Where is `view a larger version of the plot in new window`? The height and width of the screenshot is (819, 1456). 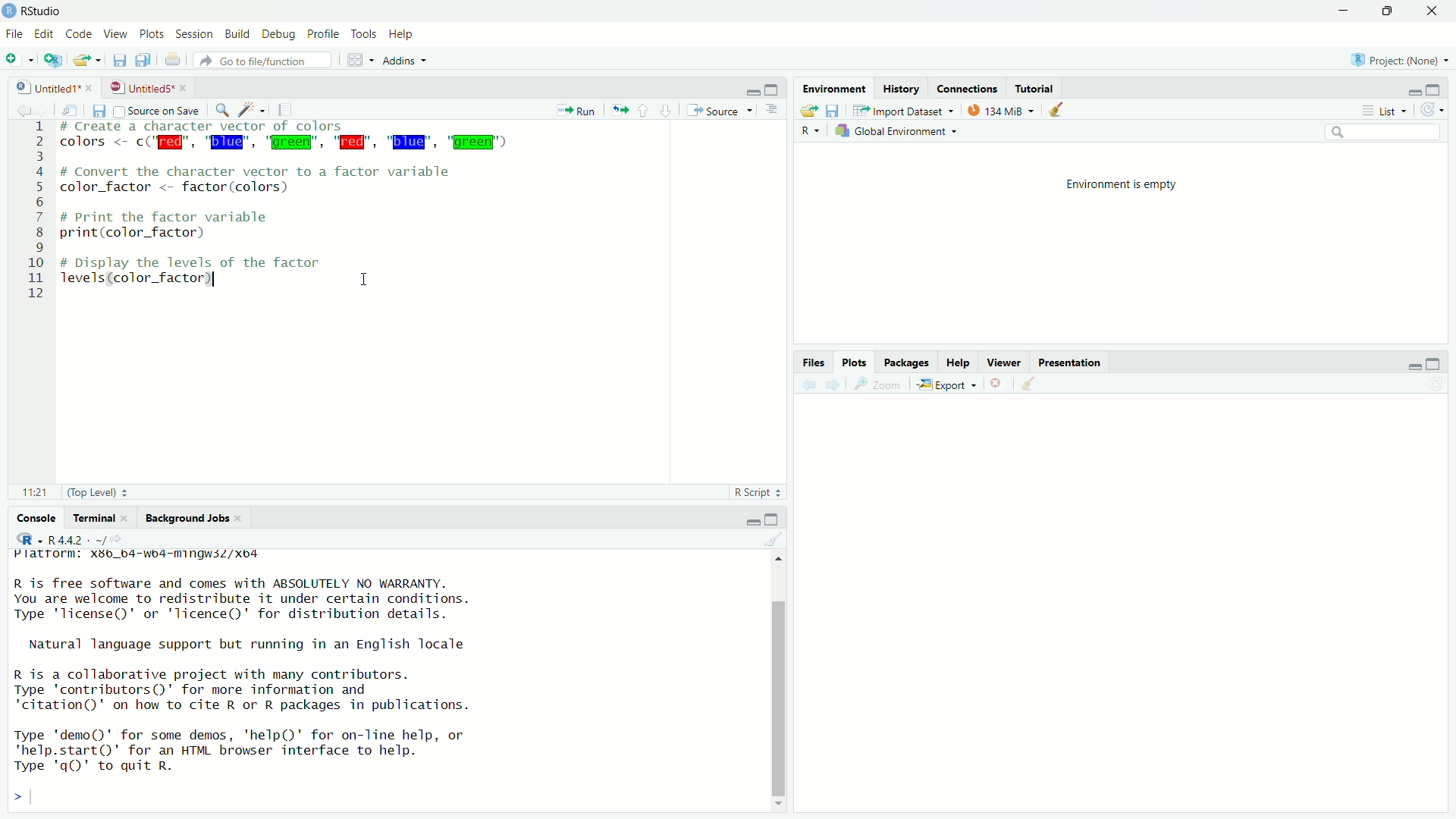 view a larger version of the plot in new window is located at coordinates (877, 385).